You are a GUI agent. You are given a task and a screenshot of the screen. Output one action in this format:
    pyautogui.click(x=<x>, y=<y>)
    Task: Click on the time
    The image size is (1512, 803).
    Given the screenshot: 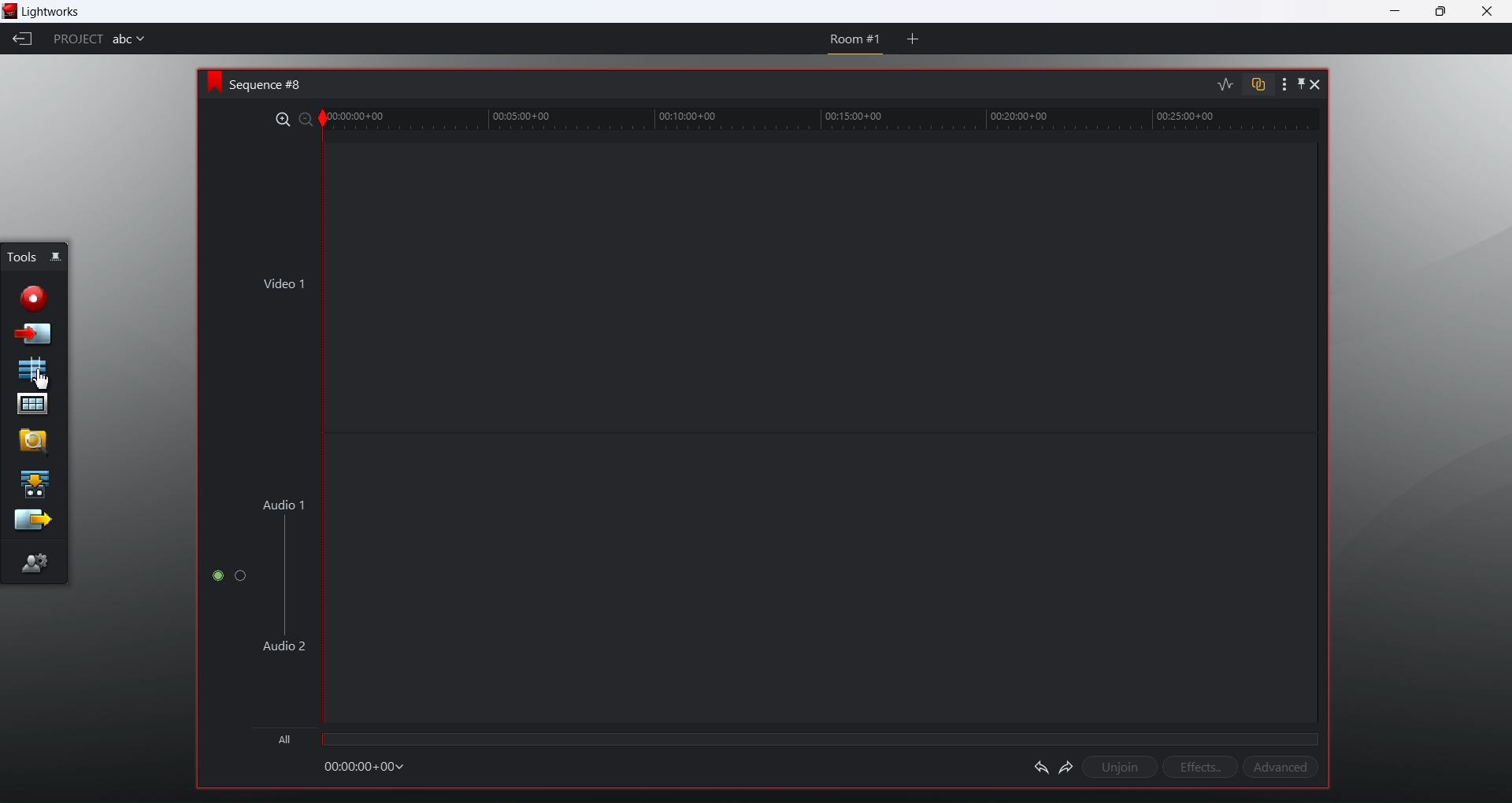 What is the action you would take?
    pyautogui.click(x=830, y=120)
    